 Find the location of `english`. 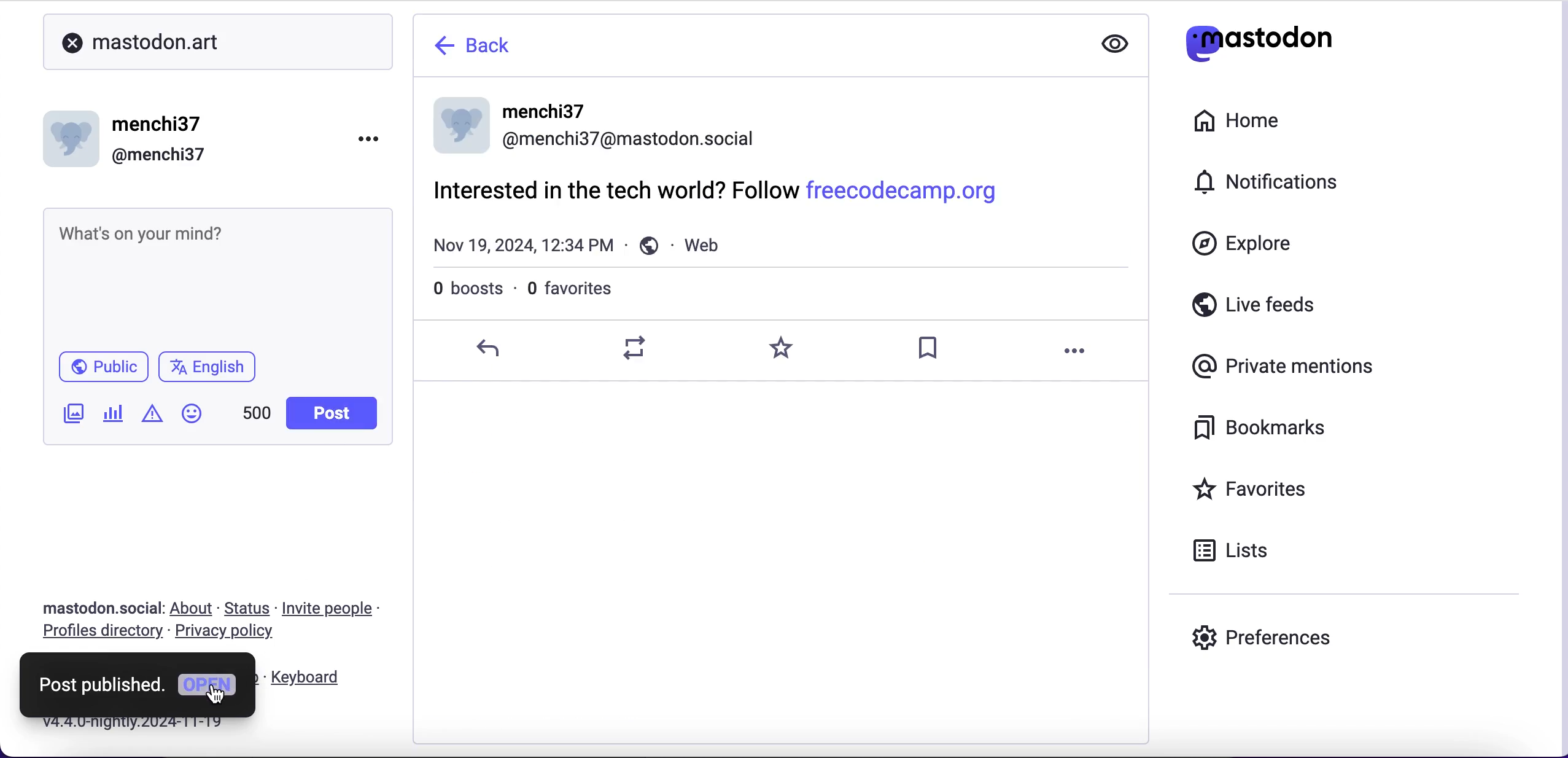

english is located at coordinates (205, 367).